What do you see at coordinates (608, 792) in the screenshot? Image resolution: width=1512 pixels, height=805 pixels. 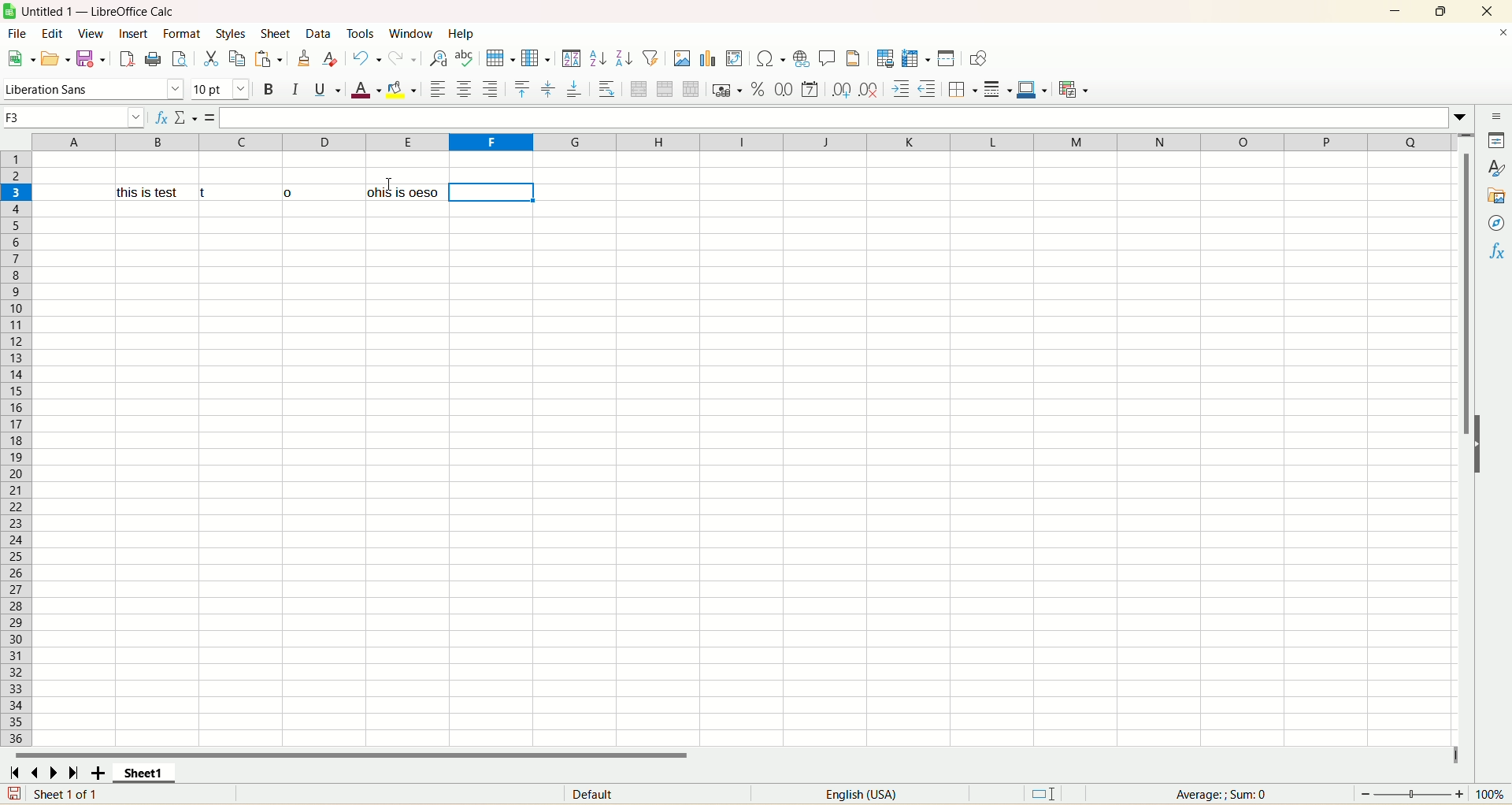 I see `default` at bounding box center [608, 792].